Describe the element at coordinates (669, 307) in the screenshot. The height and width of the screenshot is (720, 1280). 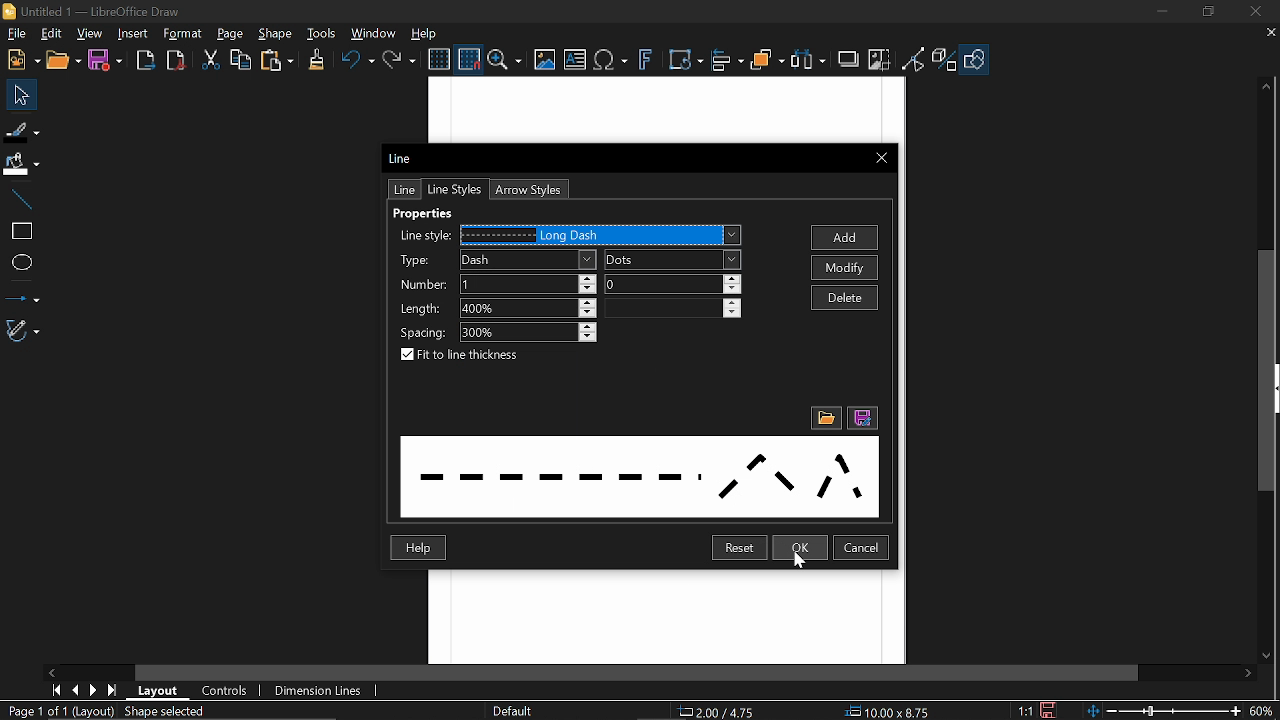
I see `length` at that location.